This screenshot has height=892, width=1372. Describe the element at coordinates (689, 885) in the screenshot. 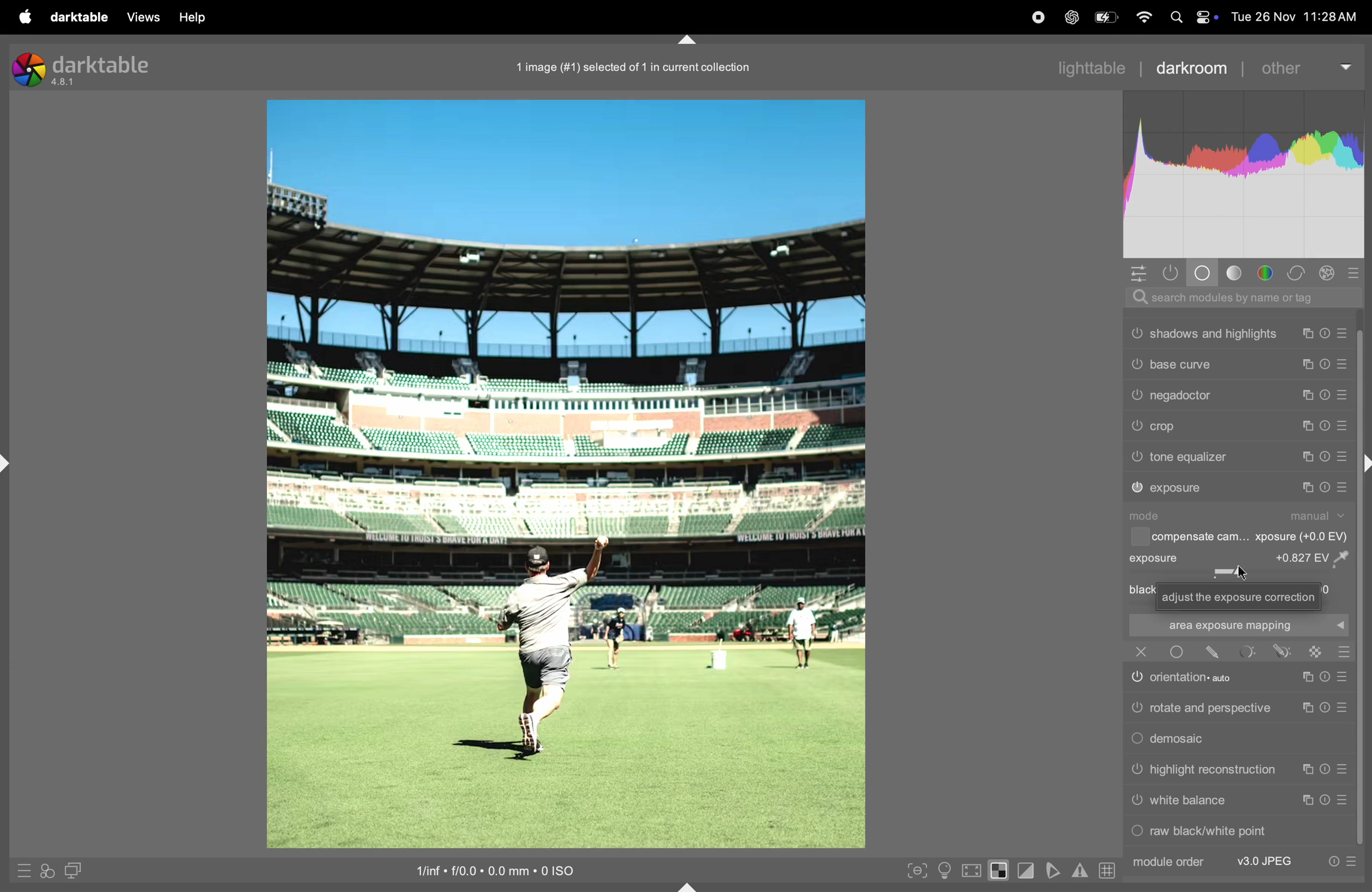

I see `expand or collapse ` at that location.